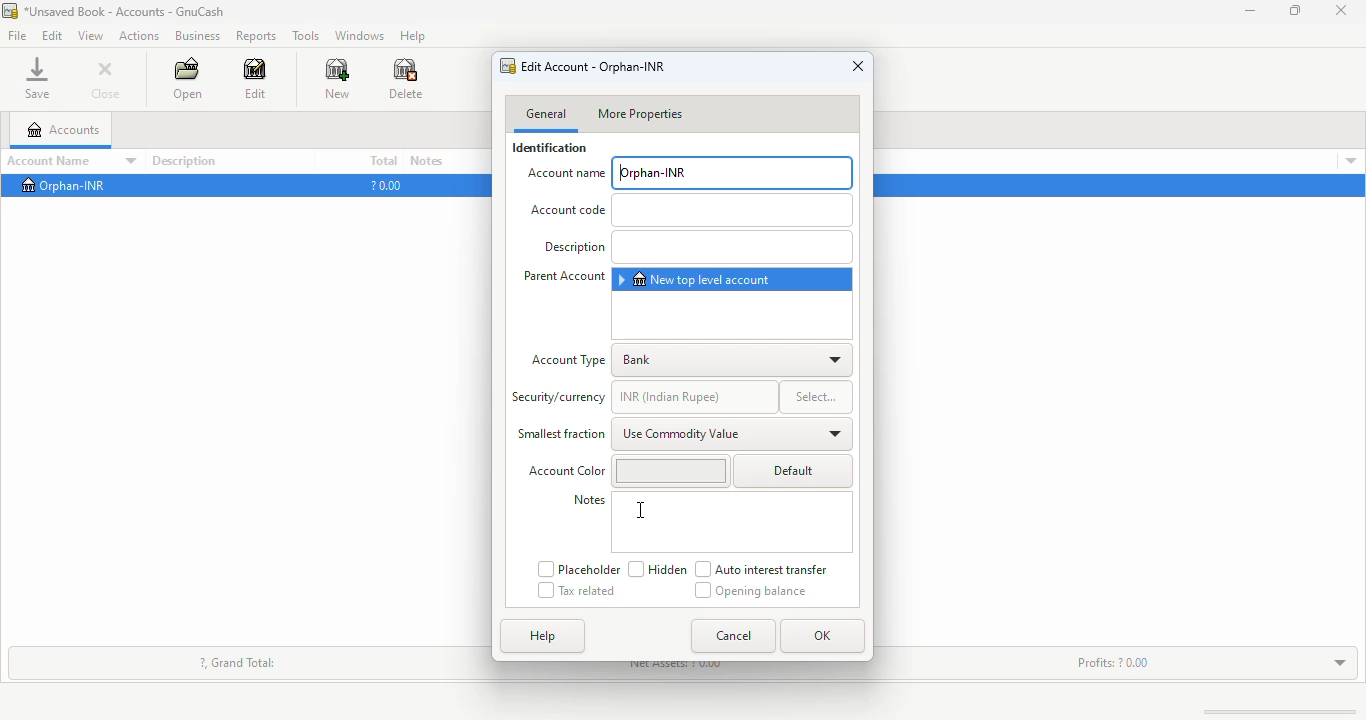  What do you see at coordinates (1351, 162) in the screenshot?
I see `account details` at bounding box center [1351, 162].